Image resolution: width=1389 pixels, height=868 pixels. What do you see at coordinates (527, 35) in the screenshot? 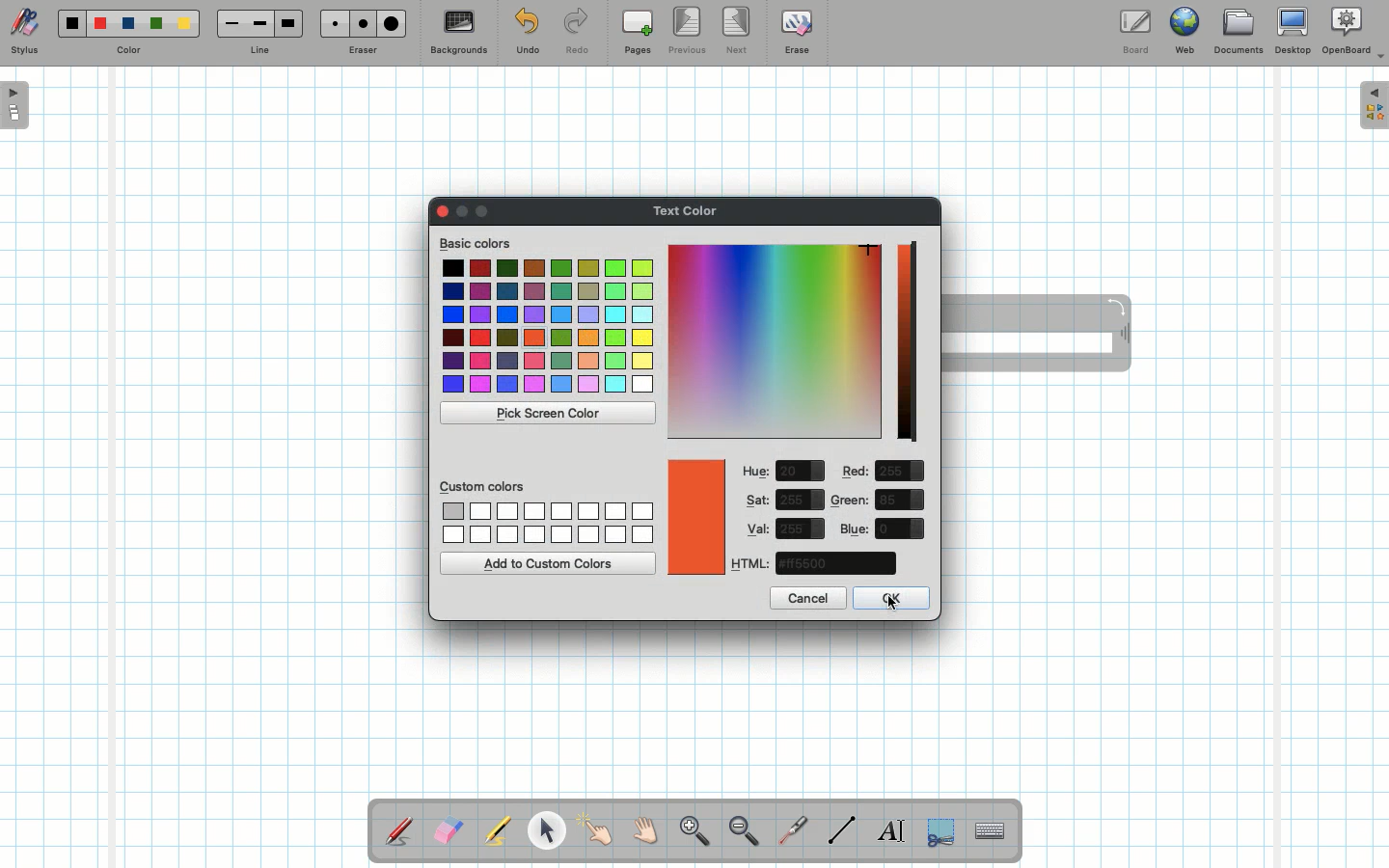
I see `Undo` at bounding box center [527, 35].